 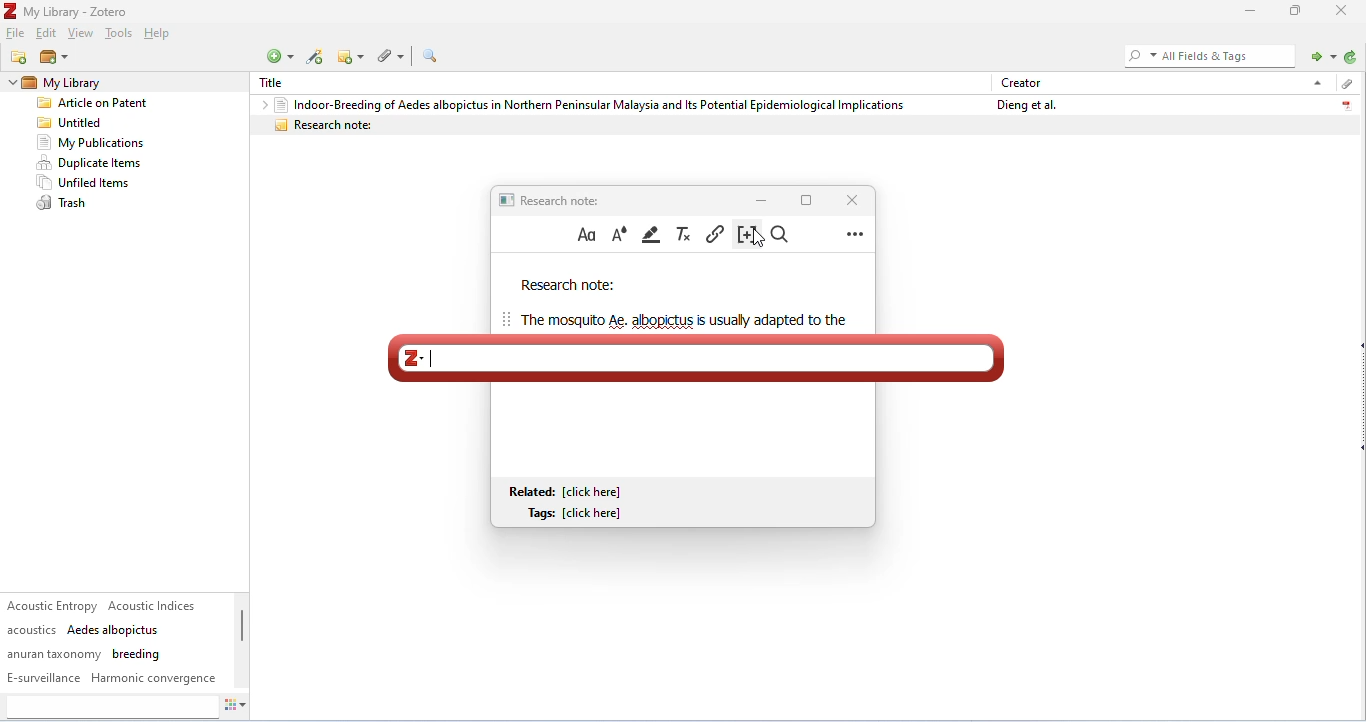 What do you see at coordinates (394, 55) in the screenshot?
I see `attachment` at bounding box center [394, 55].